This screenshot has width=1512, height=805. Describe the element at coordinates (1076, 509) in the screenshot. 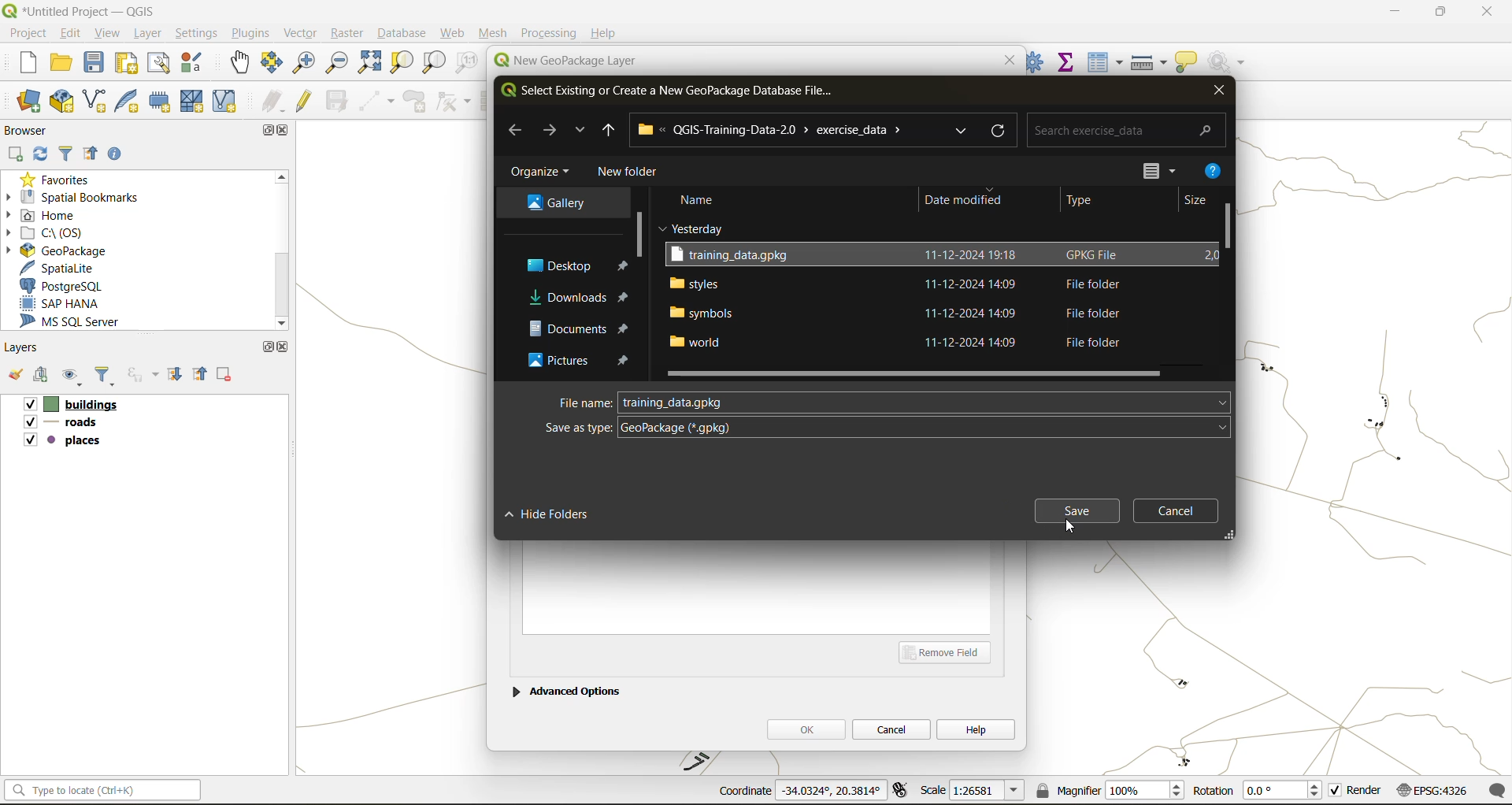

I see `save` at that location.